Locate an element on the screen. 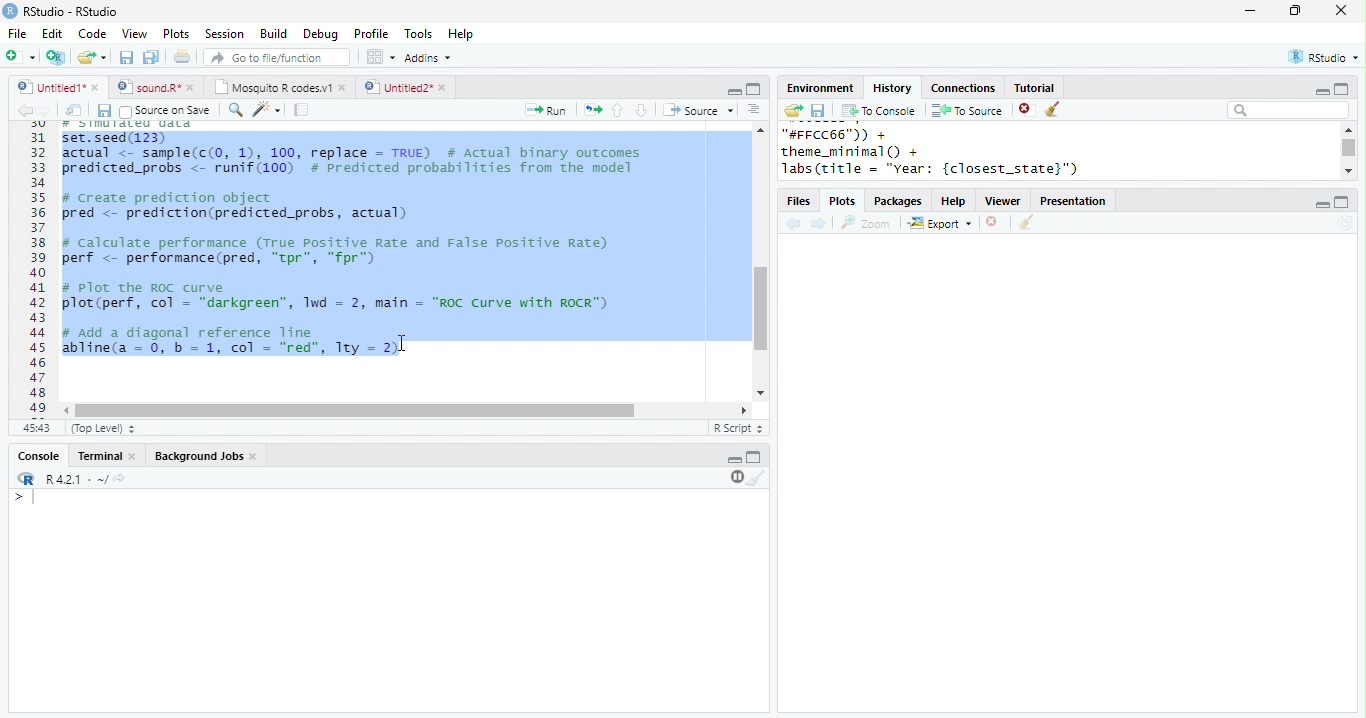 The height and width of the screenshot is (718, 1366). backward is located at coordinates (24, 110).